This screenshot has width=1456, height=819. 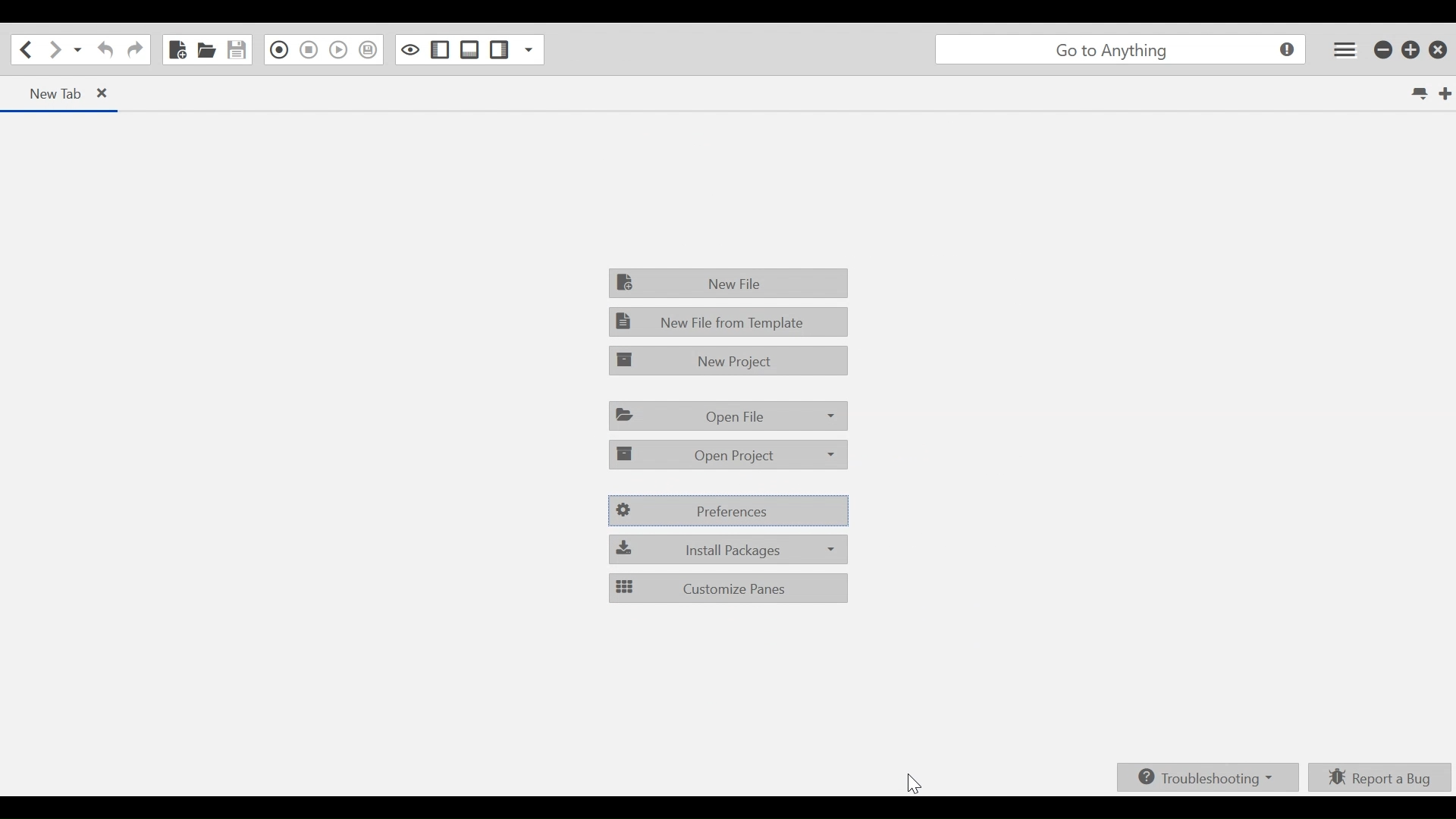 I want to click on Current Tab, so click(x=62, y=95).